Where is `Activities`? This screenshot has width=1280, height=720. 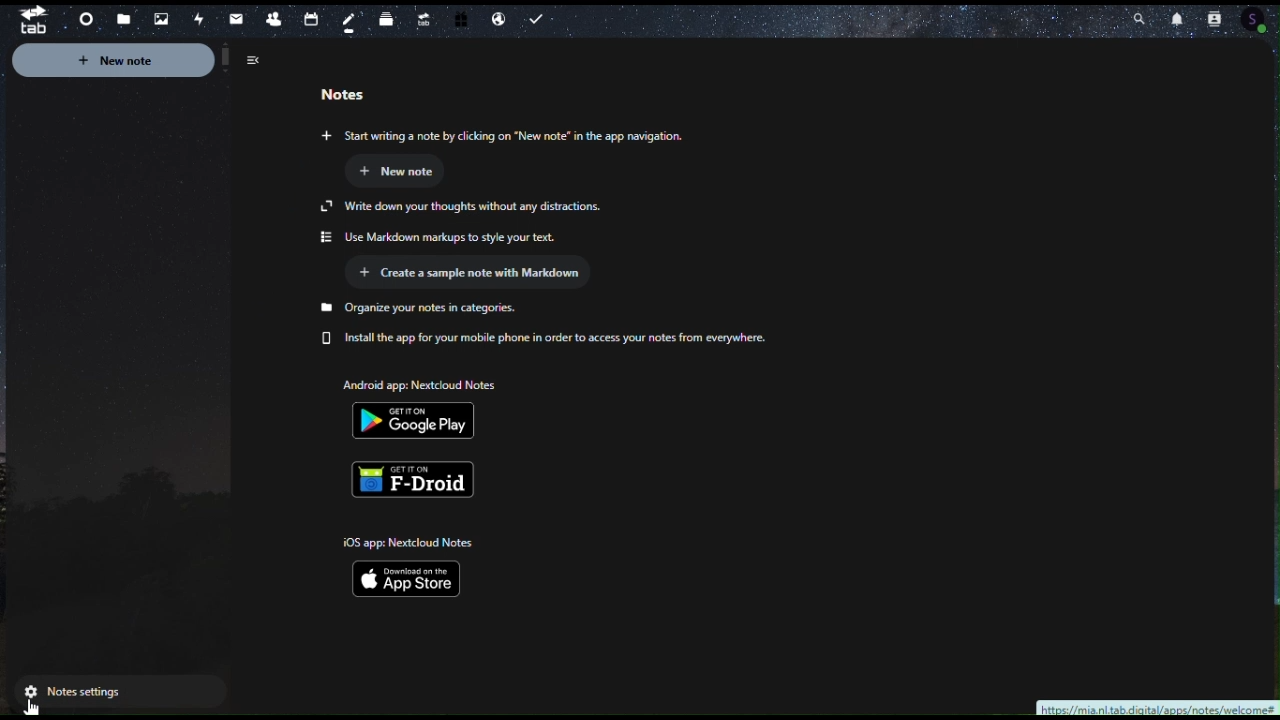 Activities is located at coordinates (197, 20).